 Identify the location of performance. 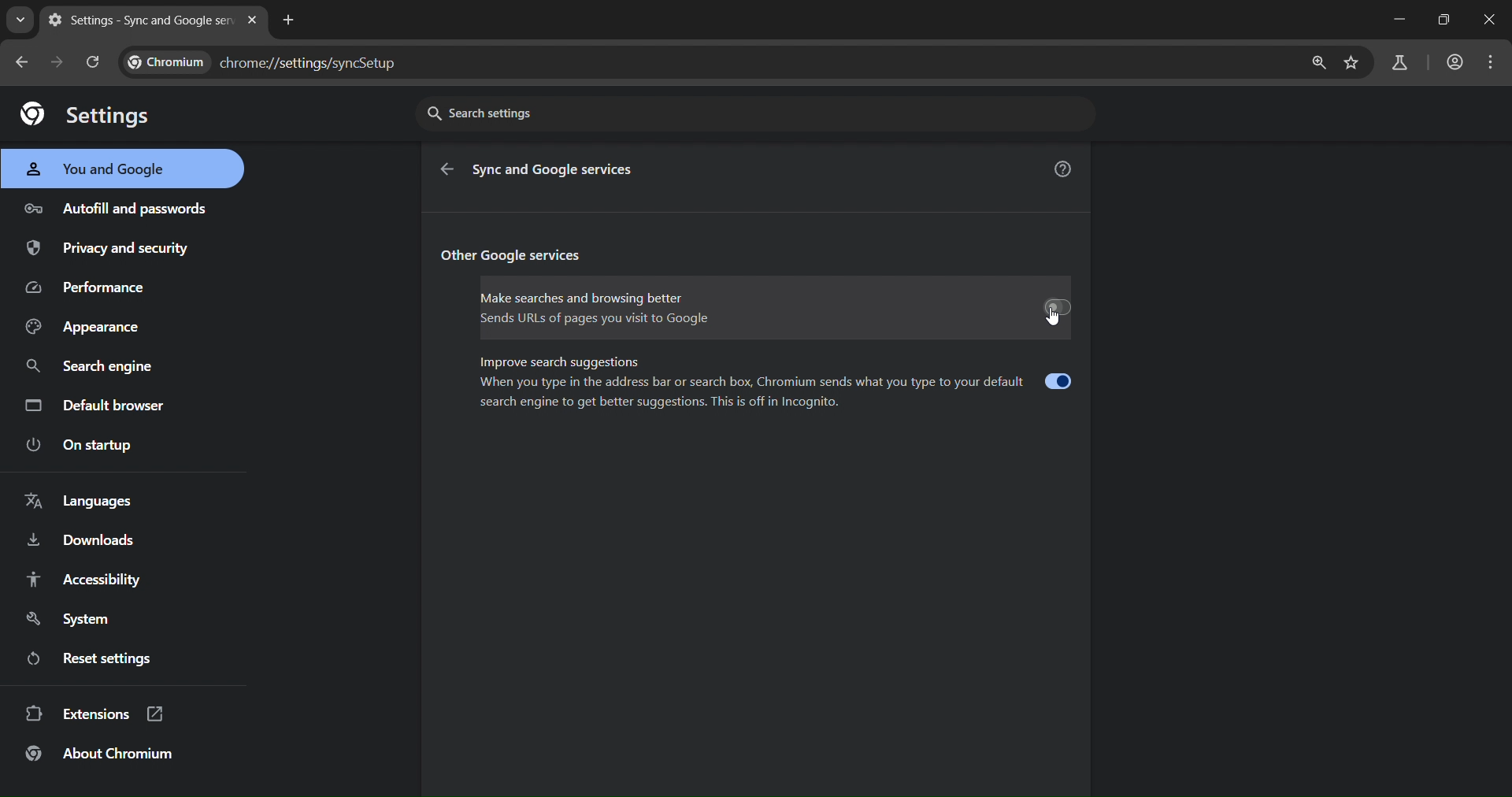
(94, 287).